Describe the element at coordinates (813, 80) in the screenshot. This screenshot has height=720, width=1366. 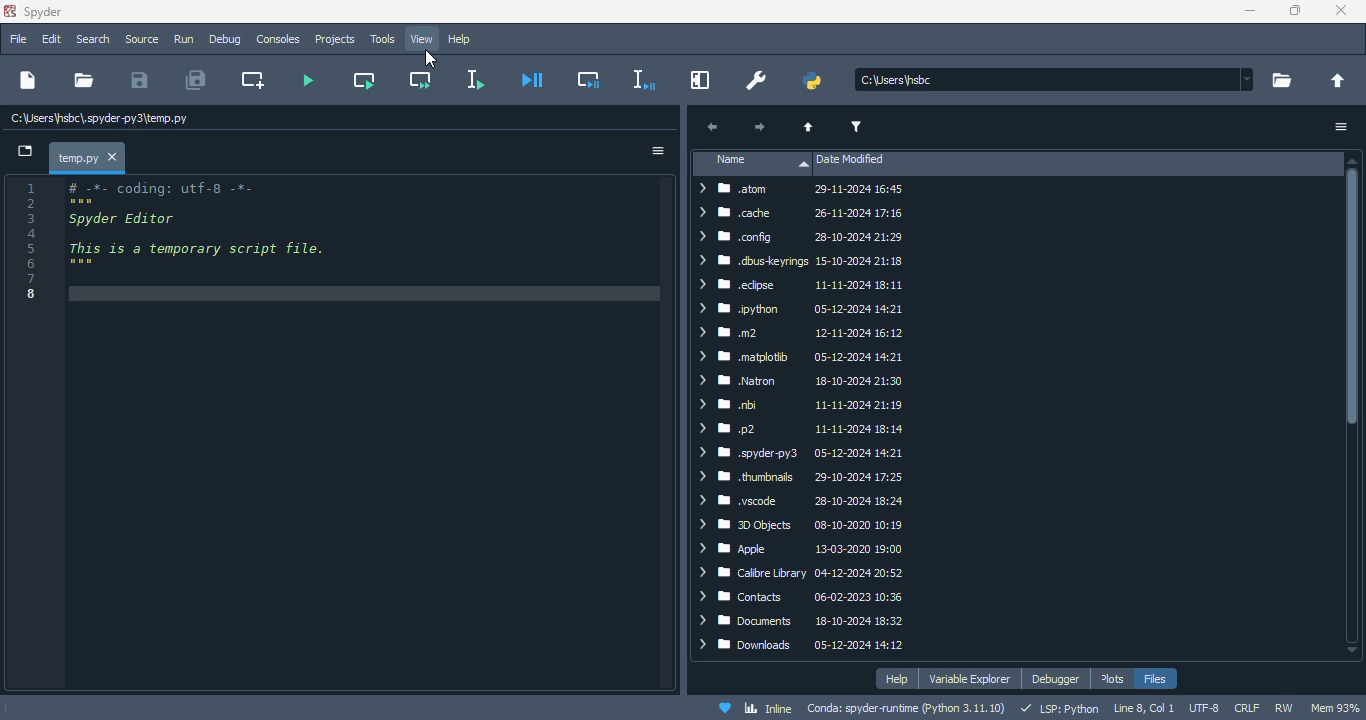
I see `PYTHONPATH manager` at that location.